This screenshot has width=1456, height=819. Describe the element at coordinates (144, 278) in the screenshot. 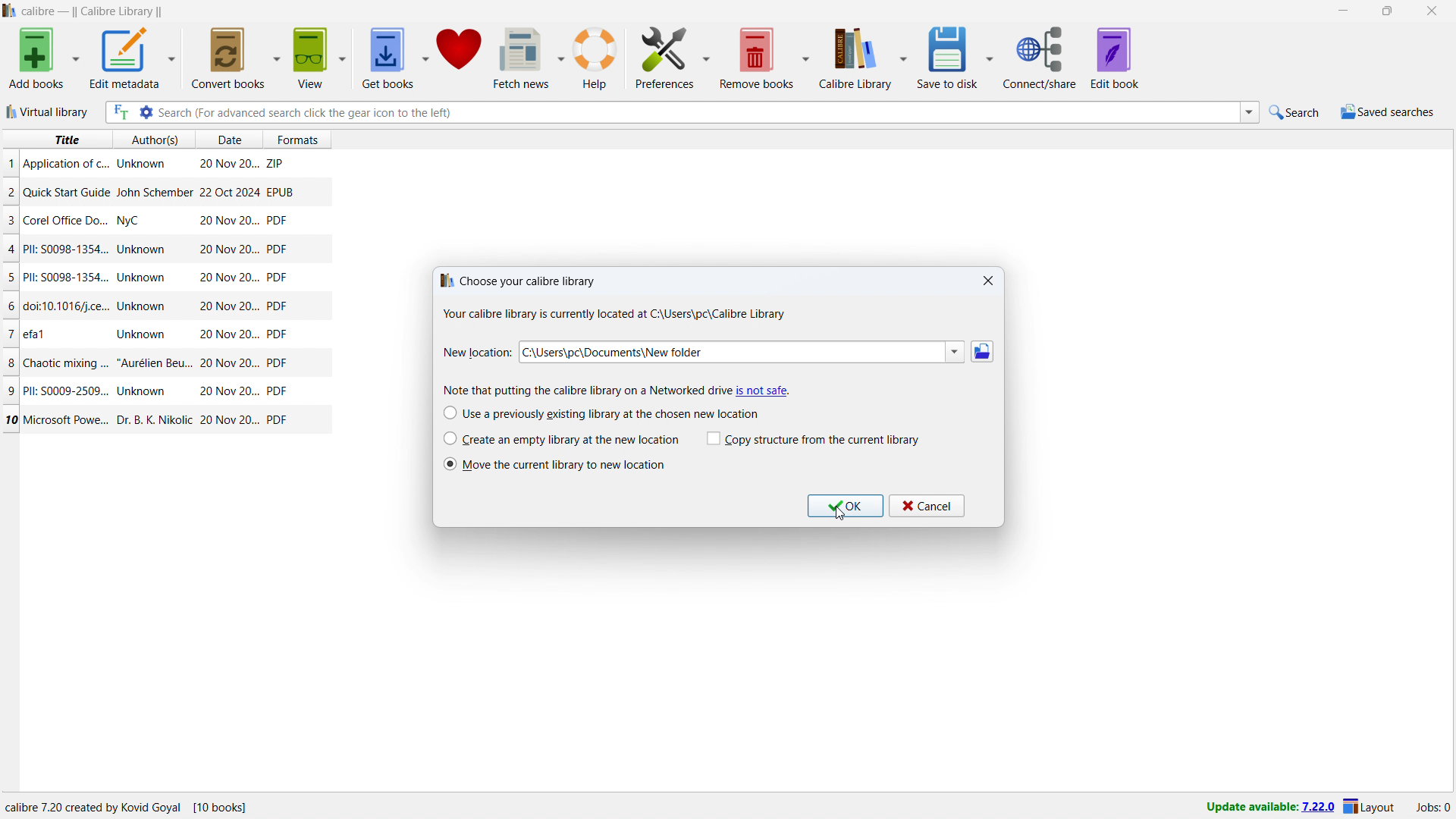

I see `Author` at that location.